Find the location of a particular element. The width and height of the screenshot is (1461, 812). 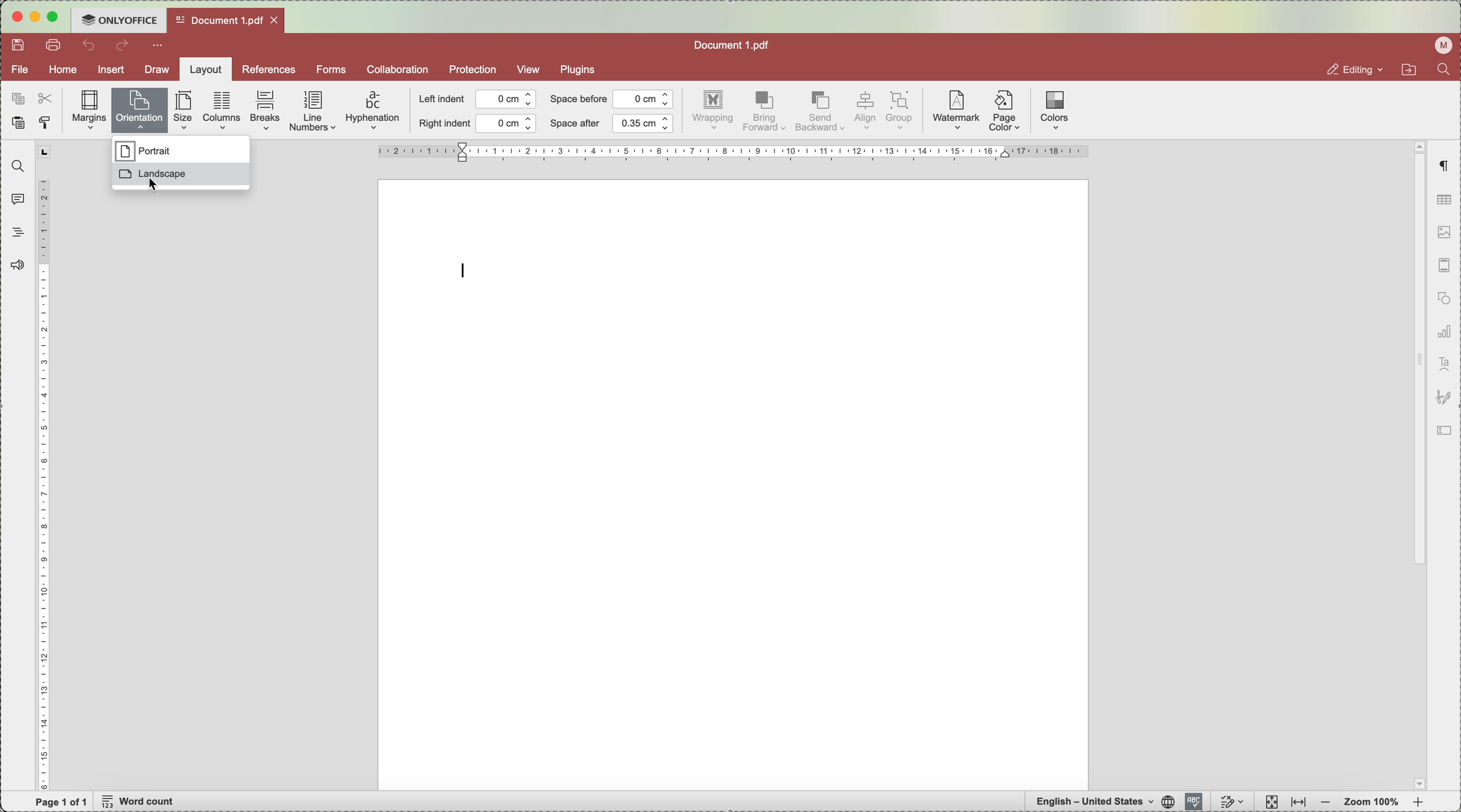

watermark is located at coordinates (955, 111).